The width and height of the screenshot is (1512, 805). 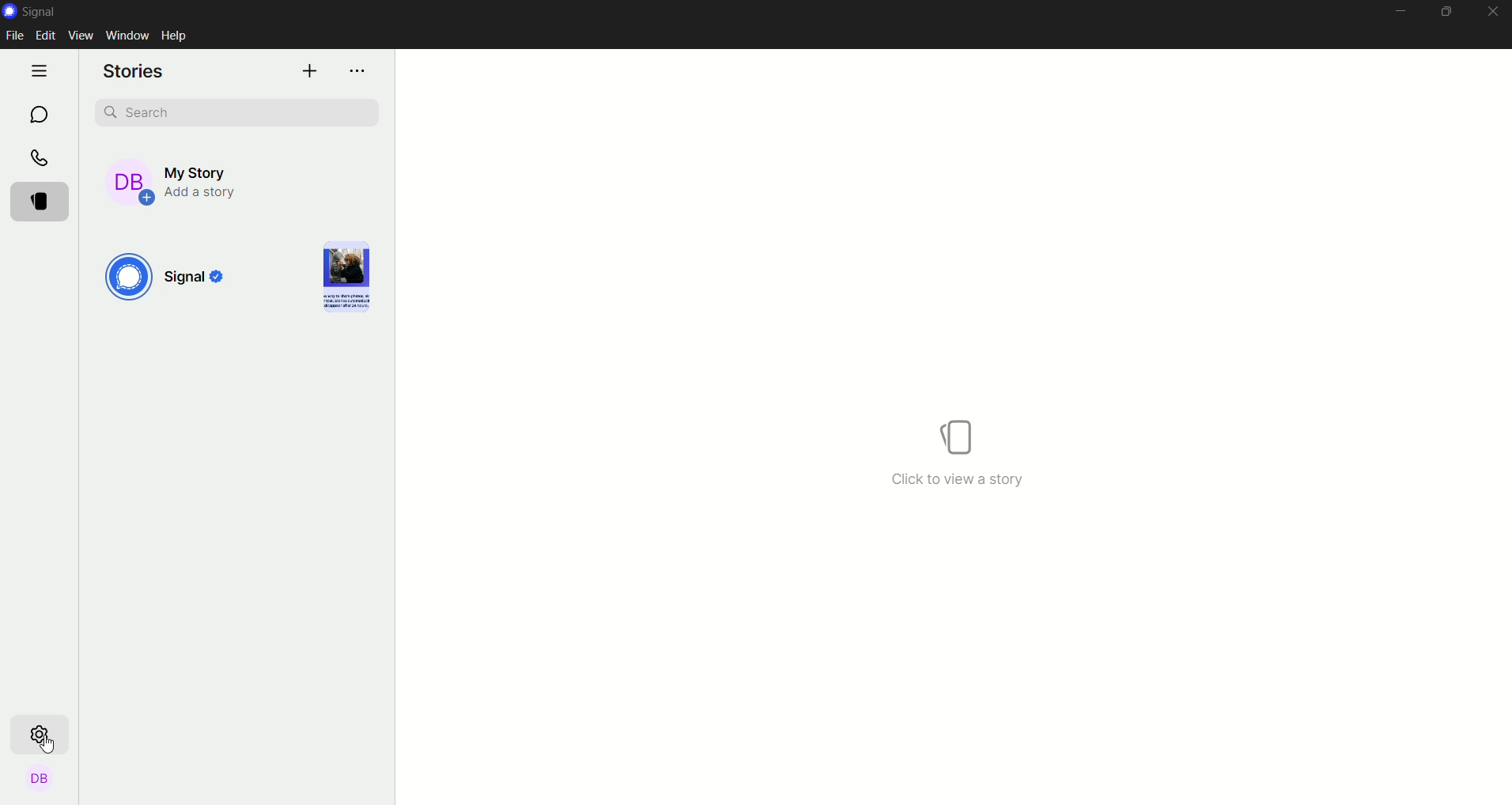 What do you see at coordinates (308, 70) in the screenshot?
I see `add` at bounding box center [308, 70].